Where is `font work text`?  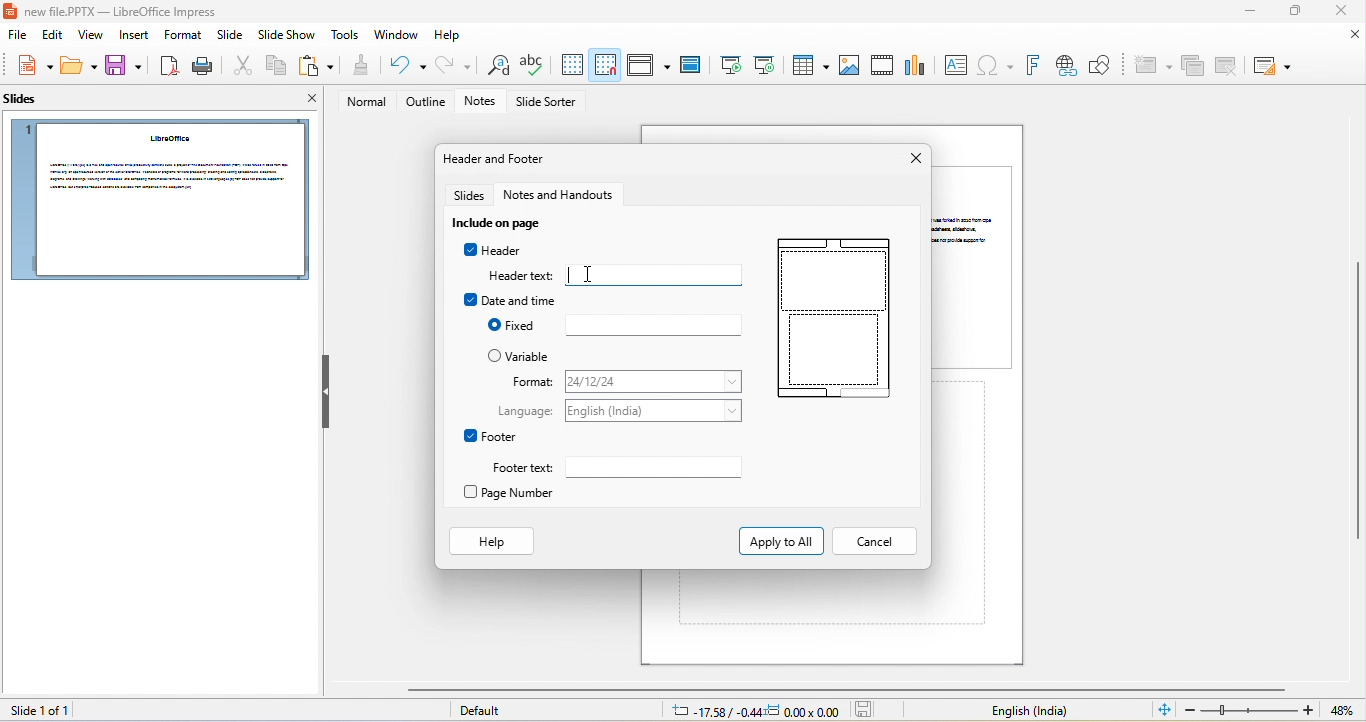
font work text is located at coordinates (1032, 66).